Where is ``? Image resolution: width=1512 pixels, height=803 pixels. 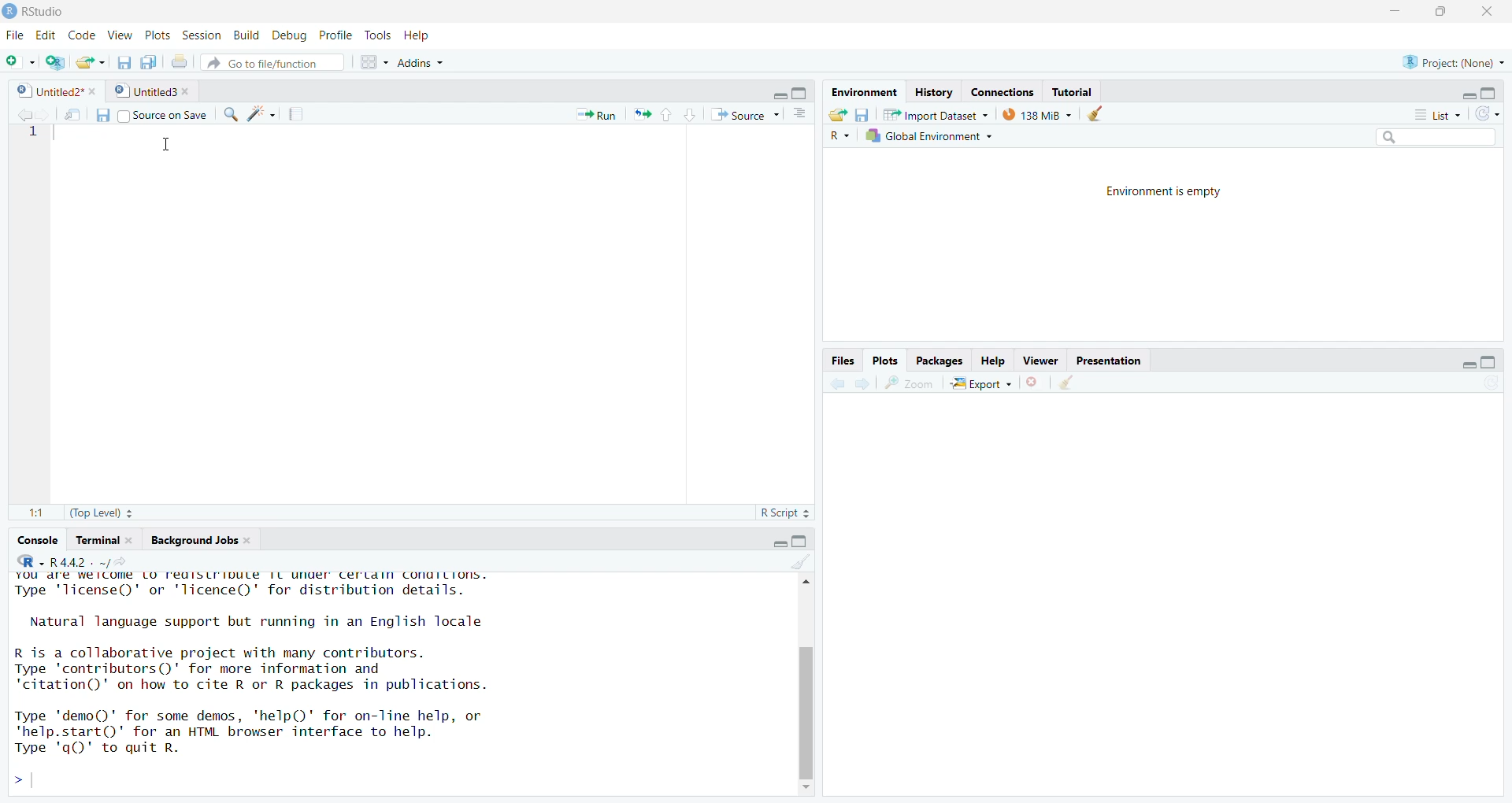  is located at coordinates (13, 36).